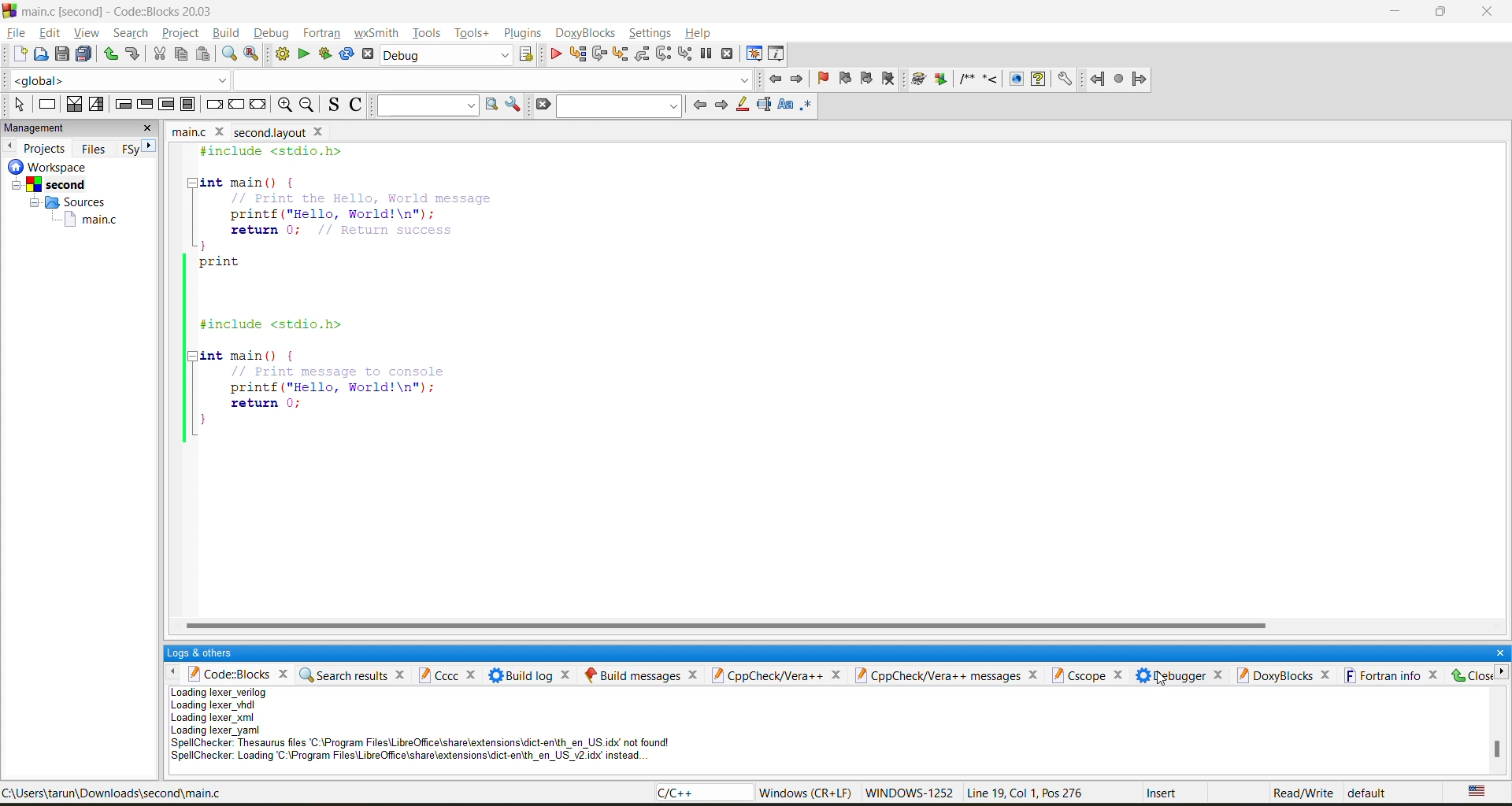  What do you see at coordinates (187, 104) in the screenshot?
I see `block instruction` at bounding box center [187, 104].